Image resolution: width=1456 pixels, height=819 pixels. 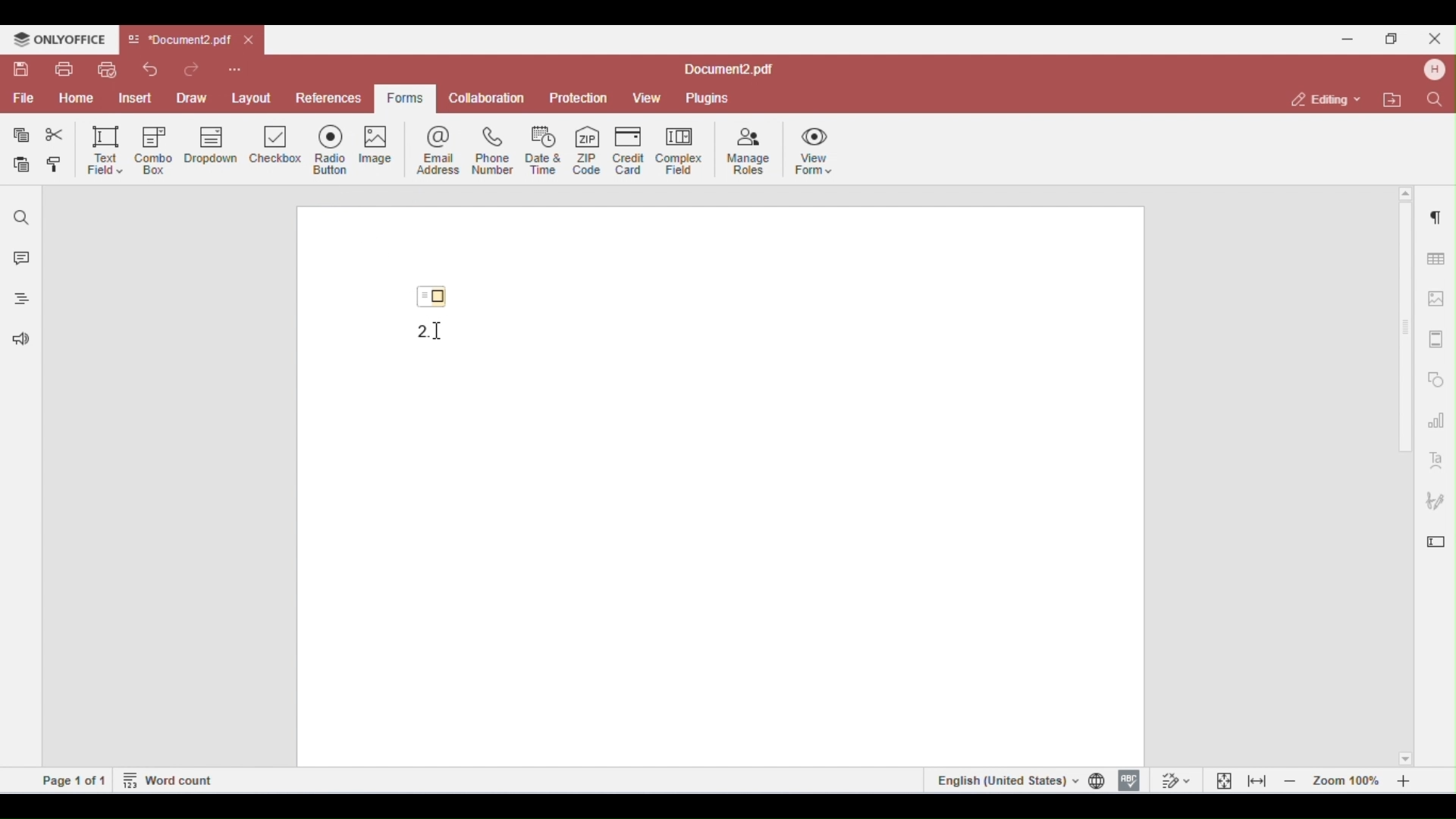 What do you see at coordinates (729, 70) in the screenshot?
I see `document2` at bounding box center [729, 70].